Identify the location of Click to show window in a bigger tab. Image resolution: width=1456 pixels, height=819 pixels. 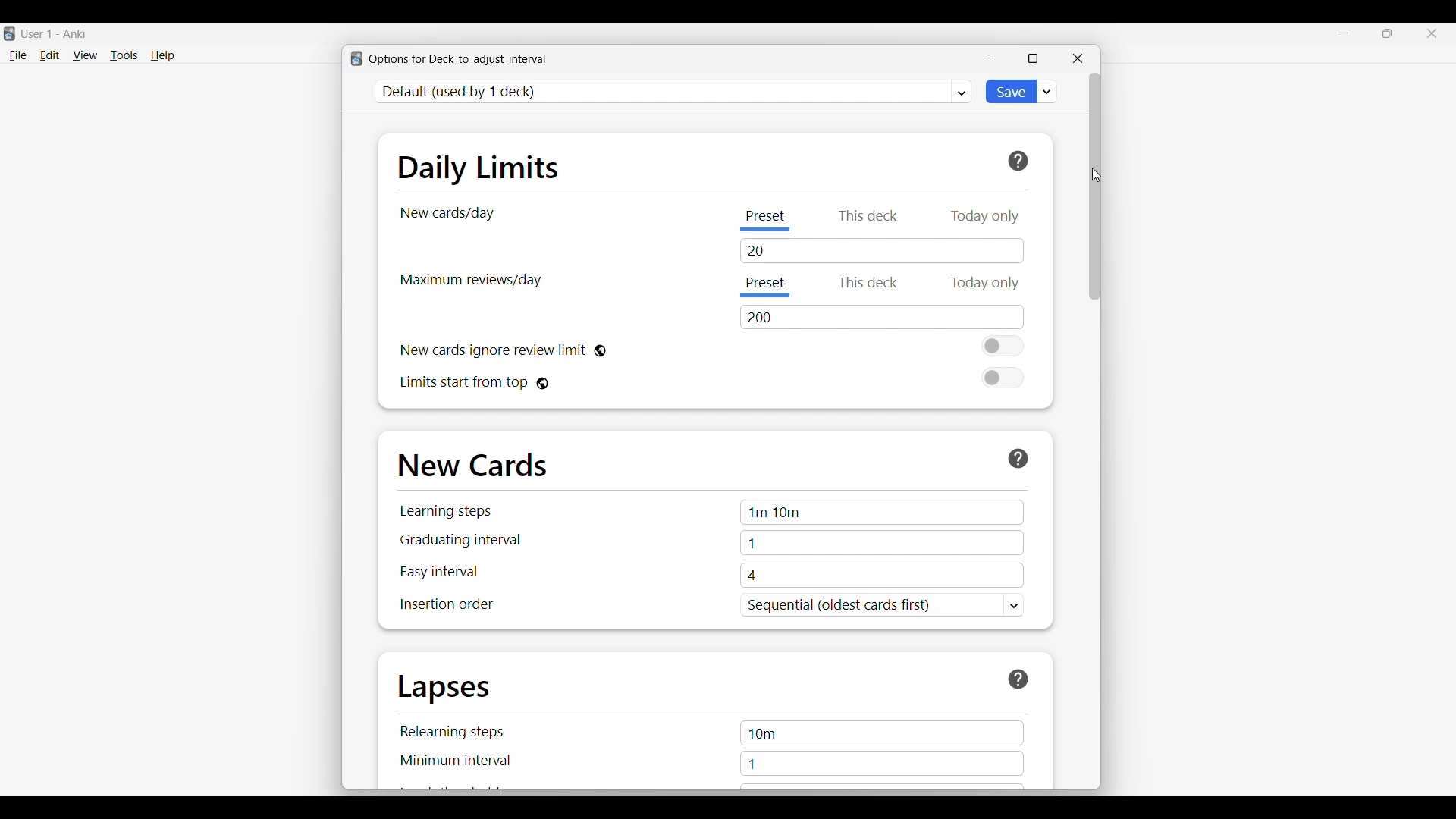
(1033, 58).